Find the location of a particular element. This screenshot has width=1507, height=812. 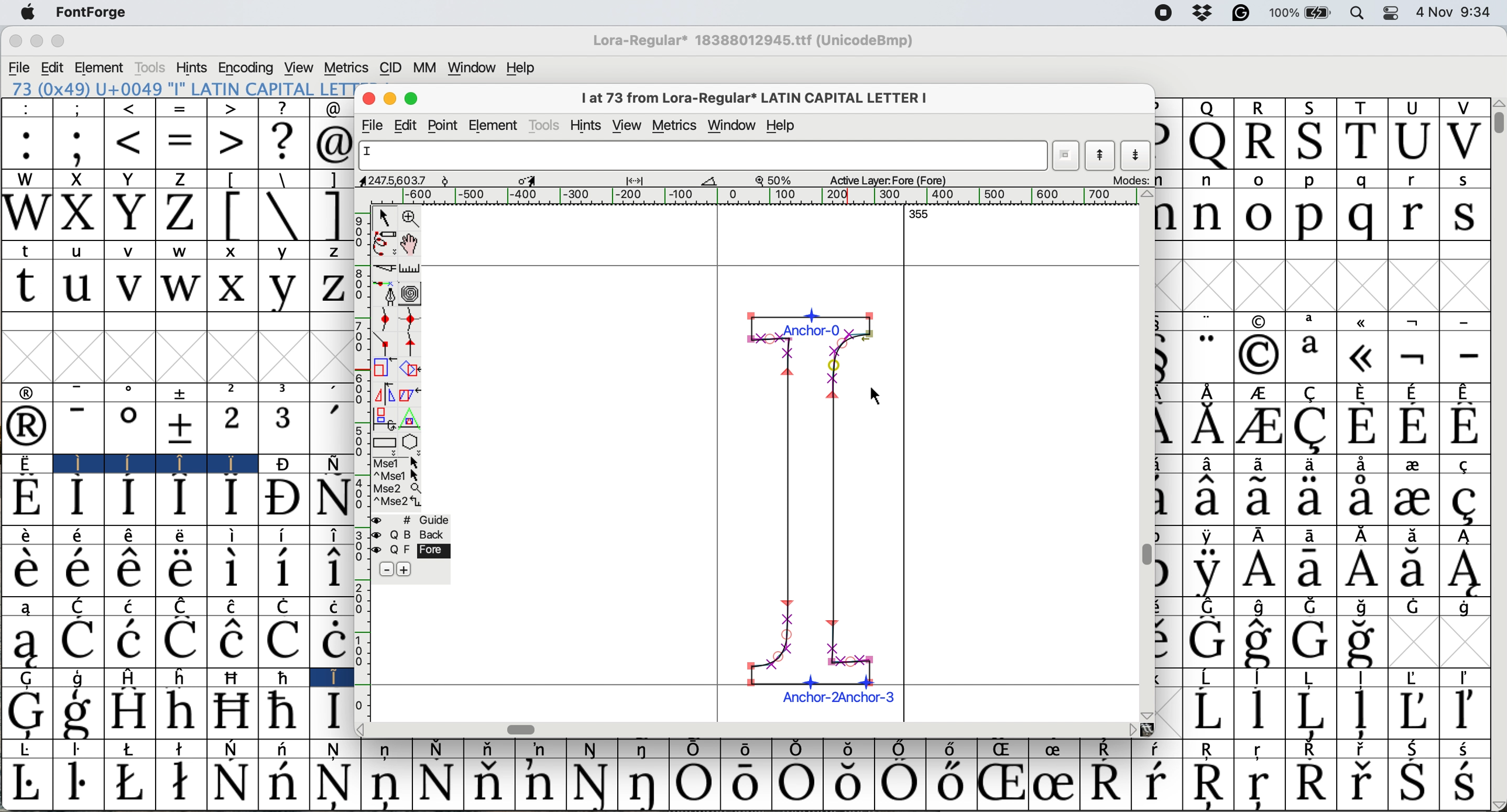

Symbol is located at coordinates (184, 605).